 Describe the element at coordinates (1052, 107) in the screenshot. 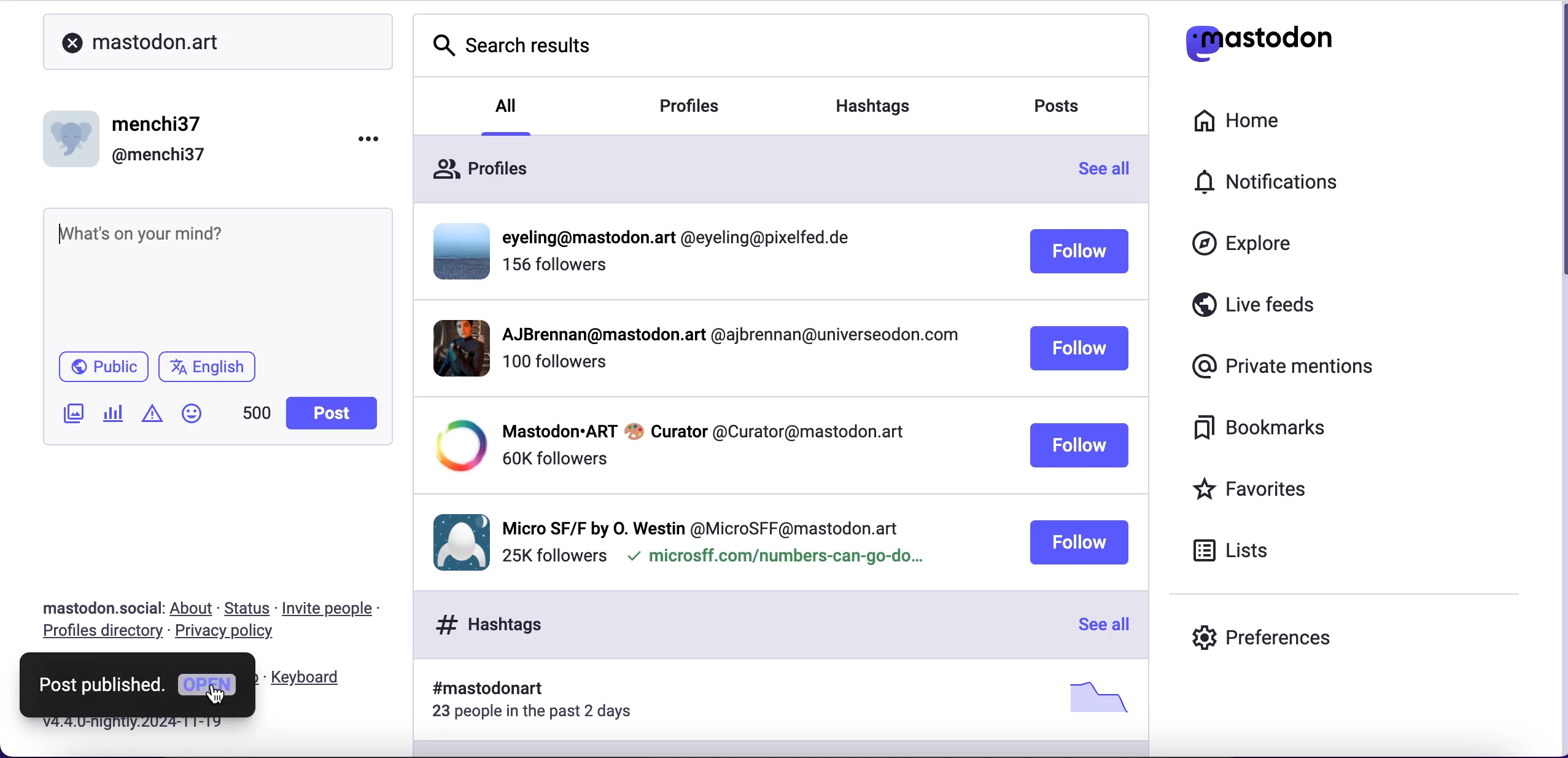

I see `posts` at that location.